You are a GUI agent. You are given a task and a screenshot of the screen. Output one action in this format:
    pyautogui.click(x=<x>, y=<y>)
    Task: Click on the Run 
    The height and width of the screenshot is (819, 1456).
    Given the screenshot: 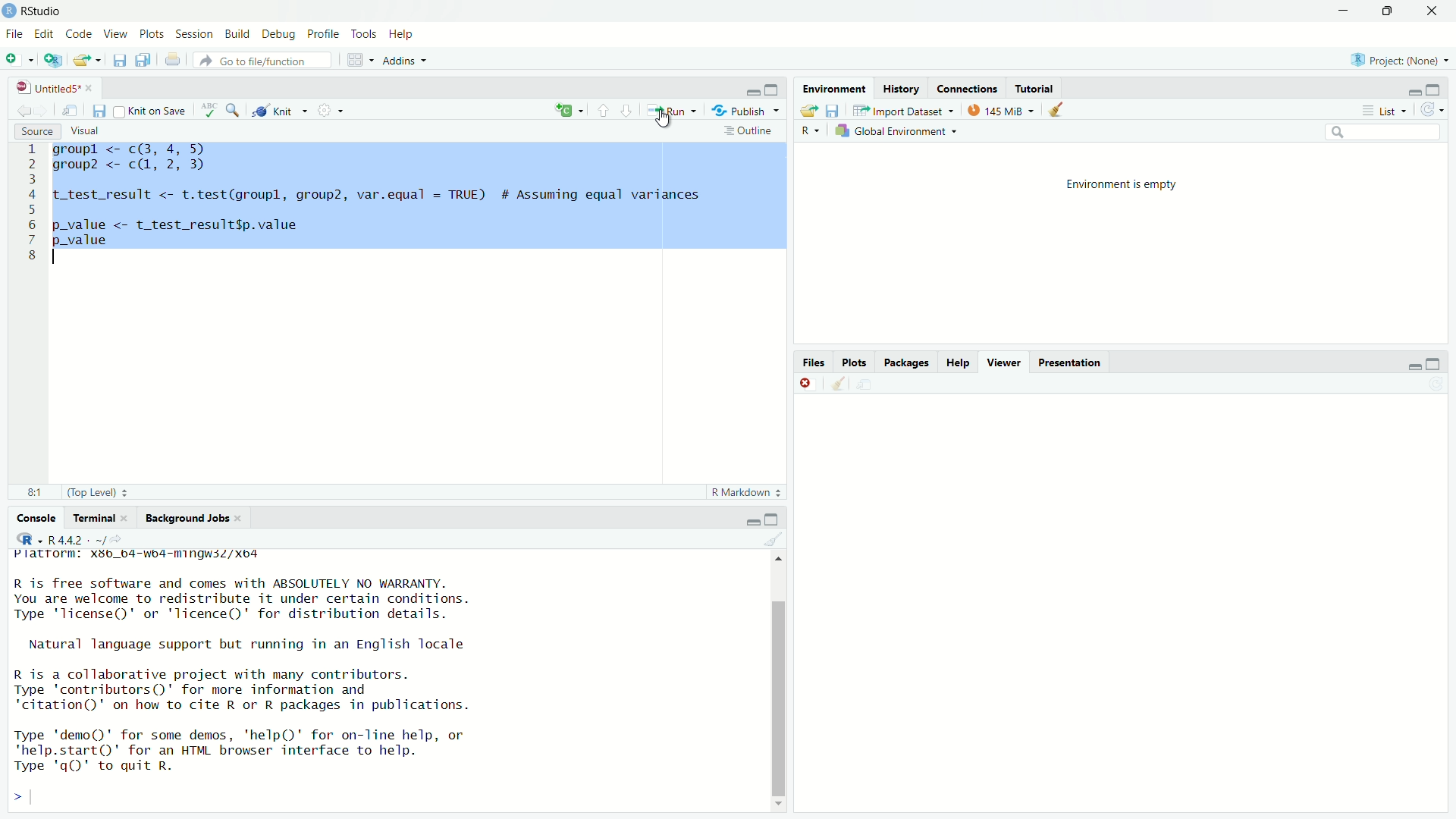 What is the action you would take?
    pyautogui.click(x=668, y=109)
    